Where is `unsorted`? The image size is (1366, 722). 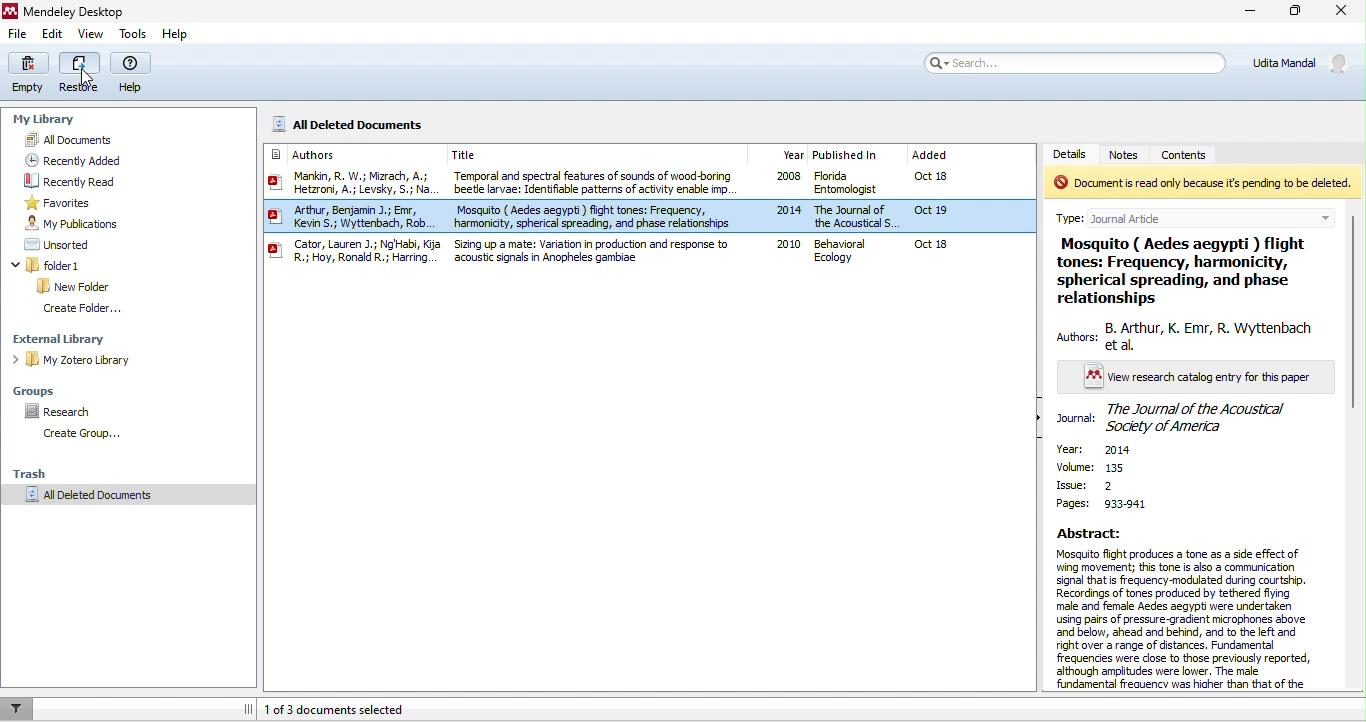
unsorted is located at coordinates (52, 244).